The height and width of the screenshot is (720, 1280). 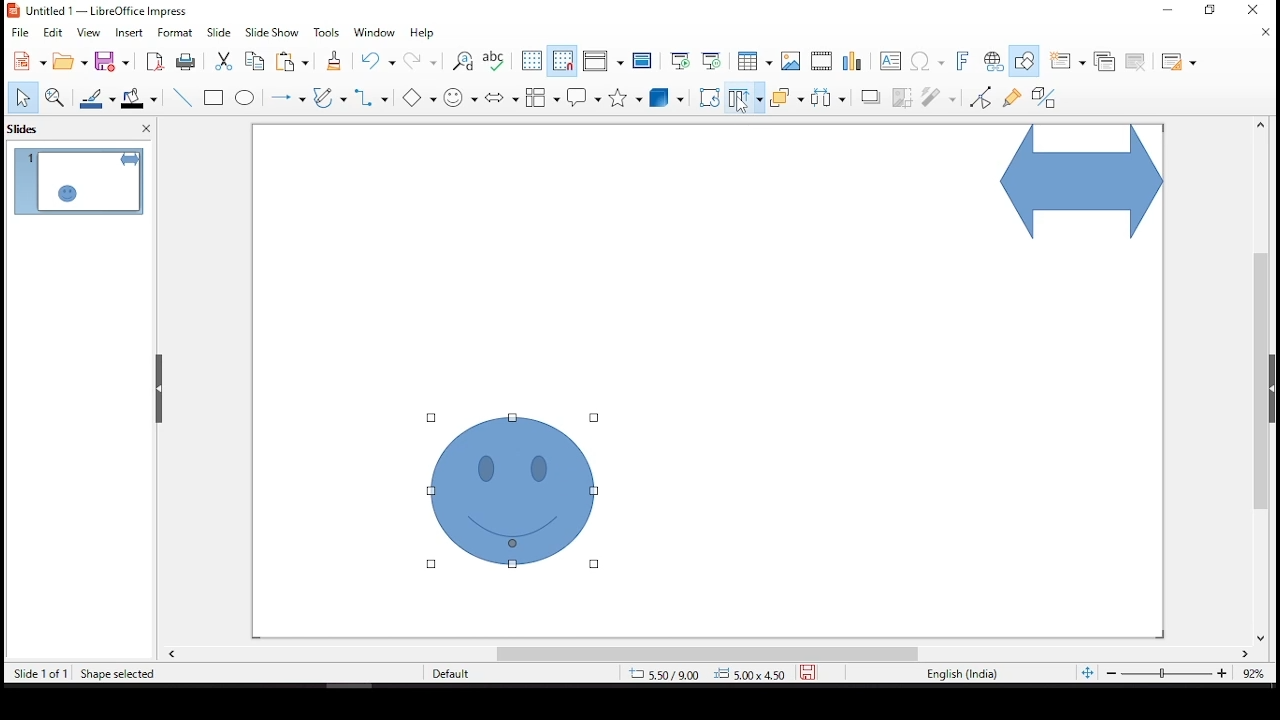 I want to click on connectors, so click(x=370, y=97).